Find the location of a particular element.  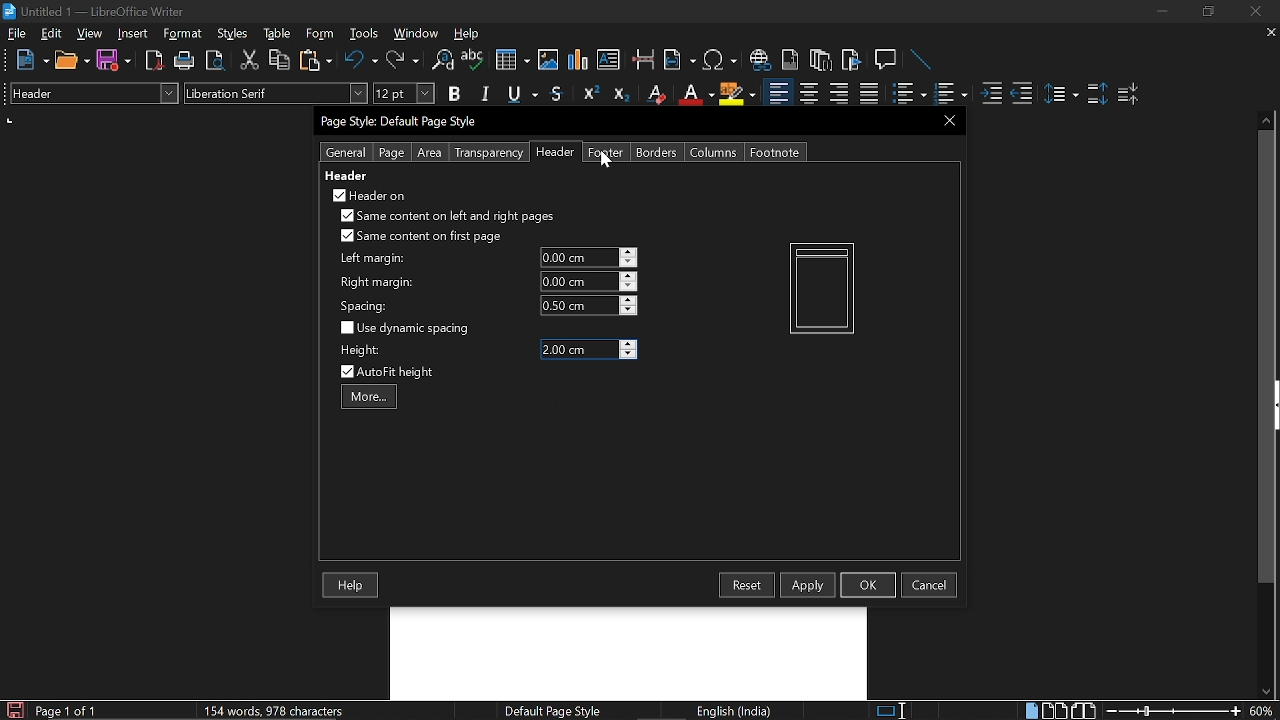

Insert text is located at coordinates (608, 59).